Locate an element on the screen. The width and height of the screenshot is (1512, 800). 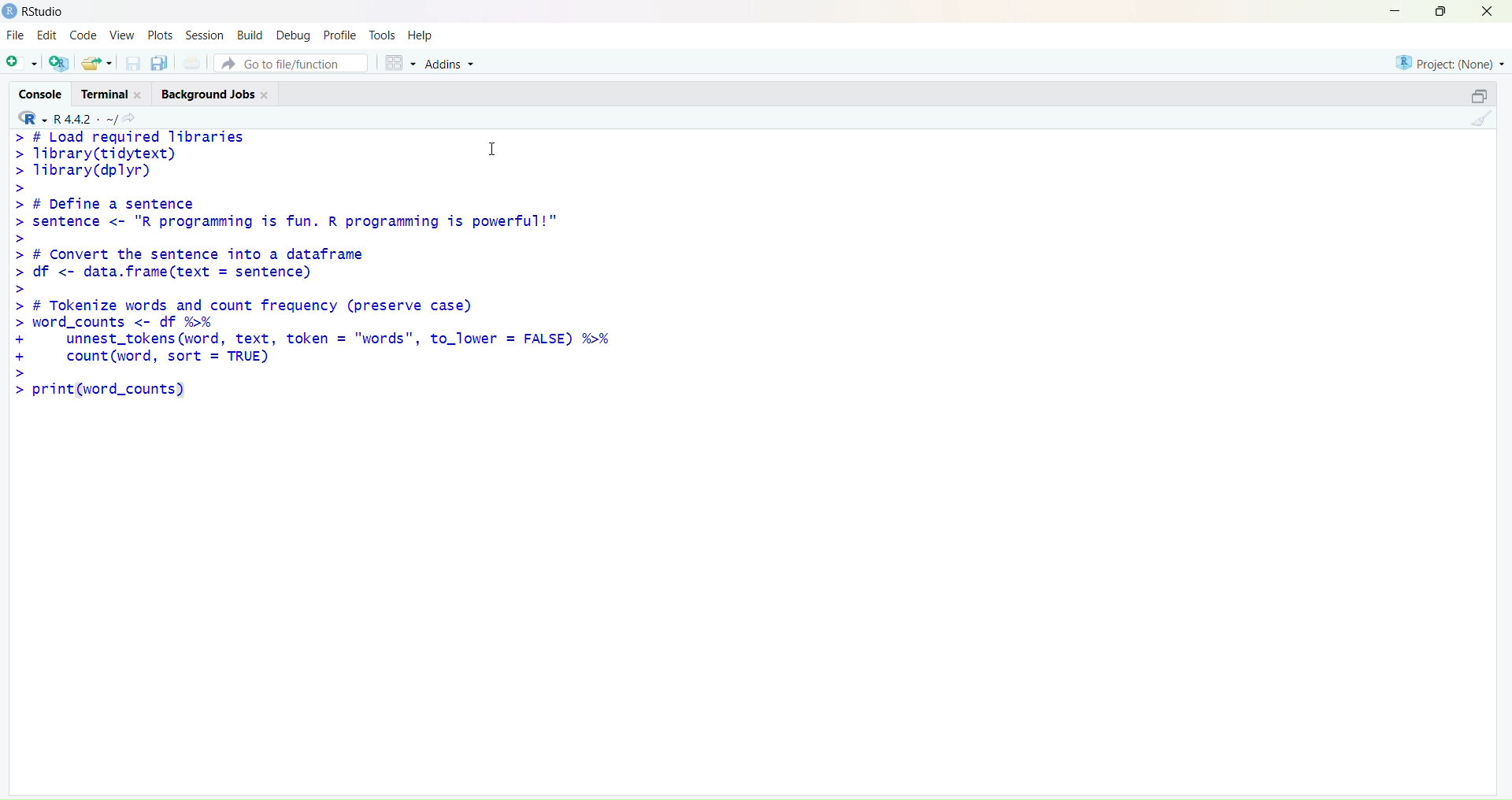
close is located at coordinates (1488, 12).